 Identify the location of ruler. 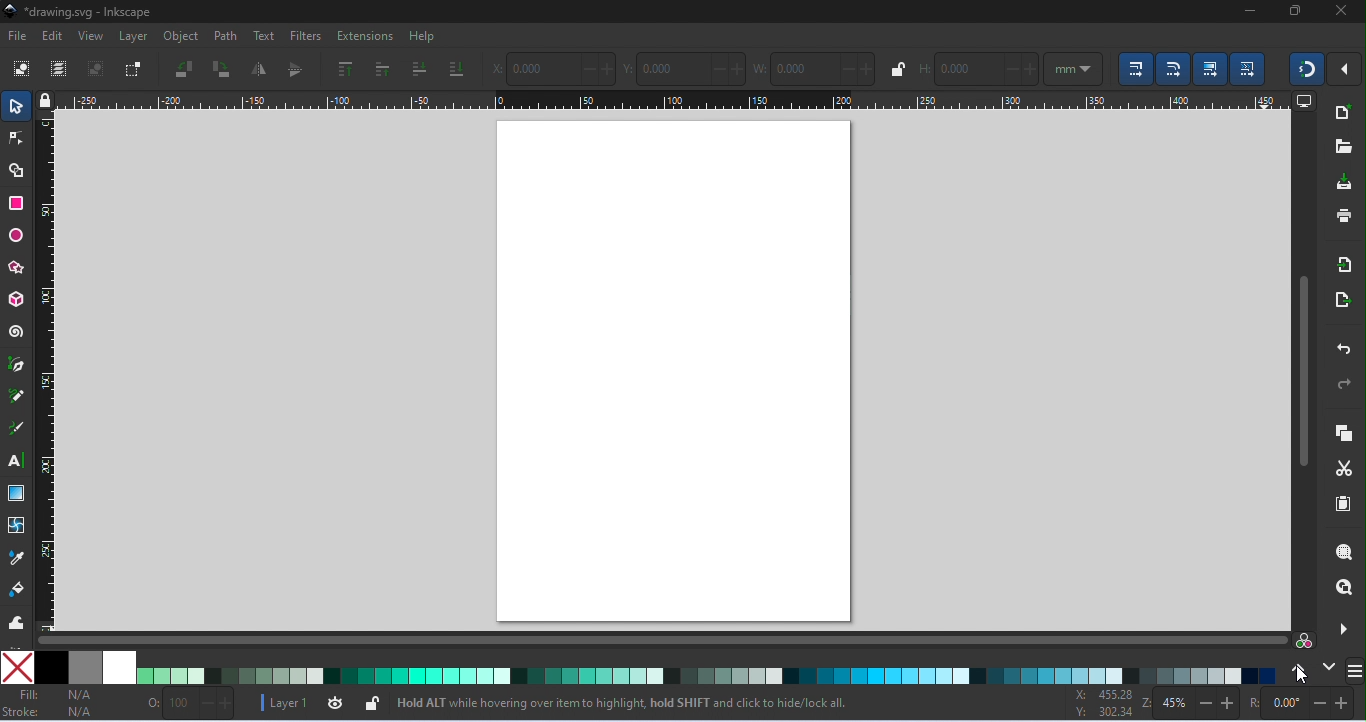
(50, 372).